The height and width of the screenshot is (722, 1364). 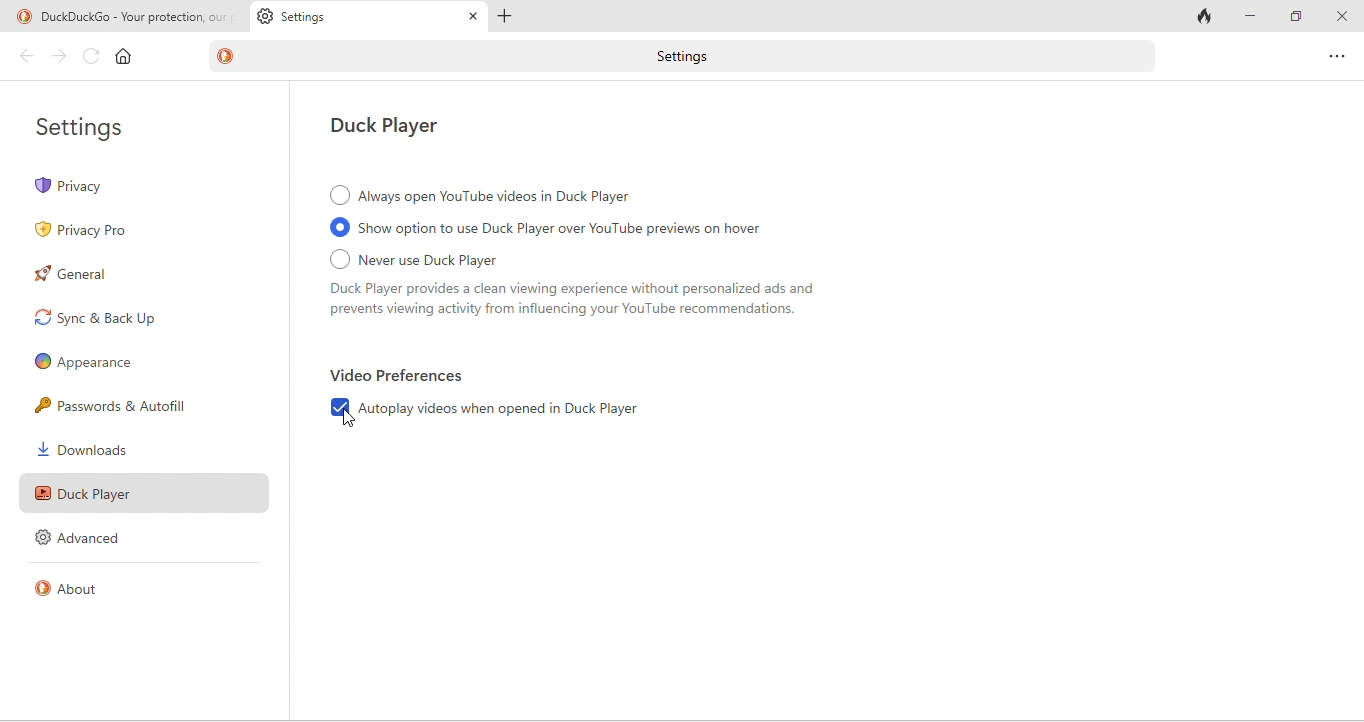 I want to click on cursor movement, so click(x=351, y=419).